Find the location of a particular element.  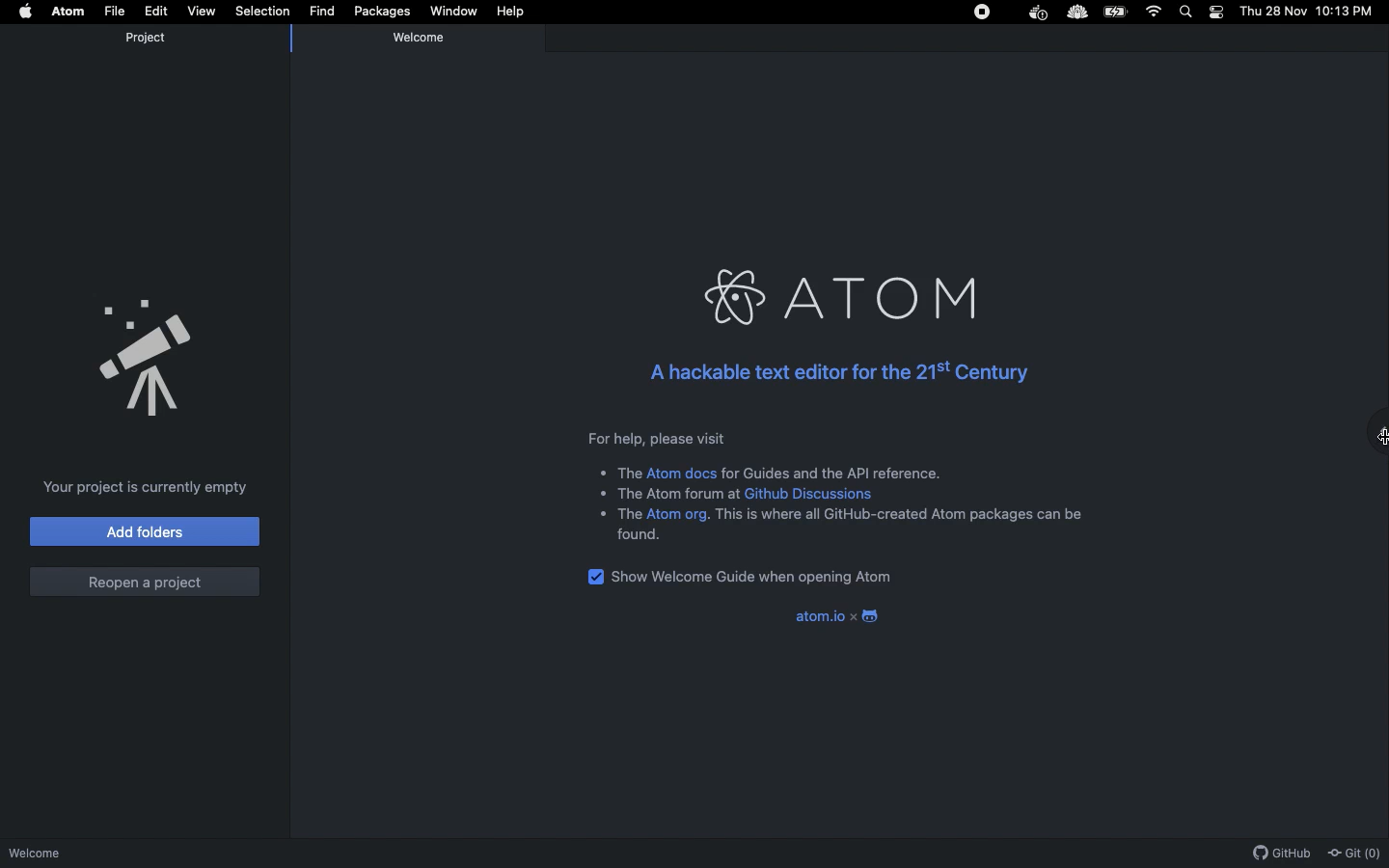

View is located at coordinates (204, 13).